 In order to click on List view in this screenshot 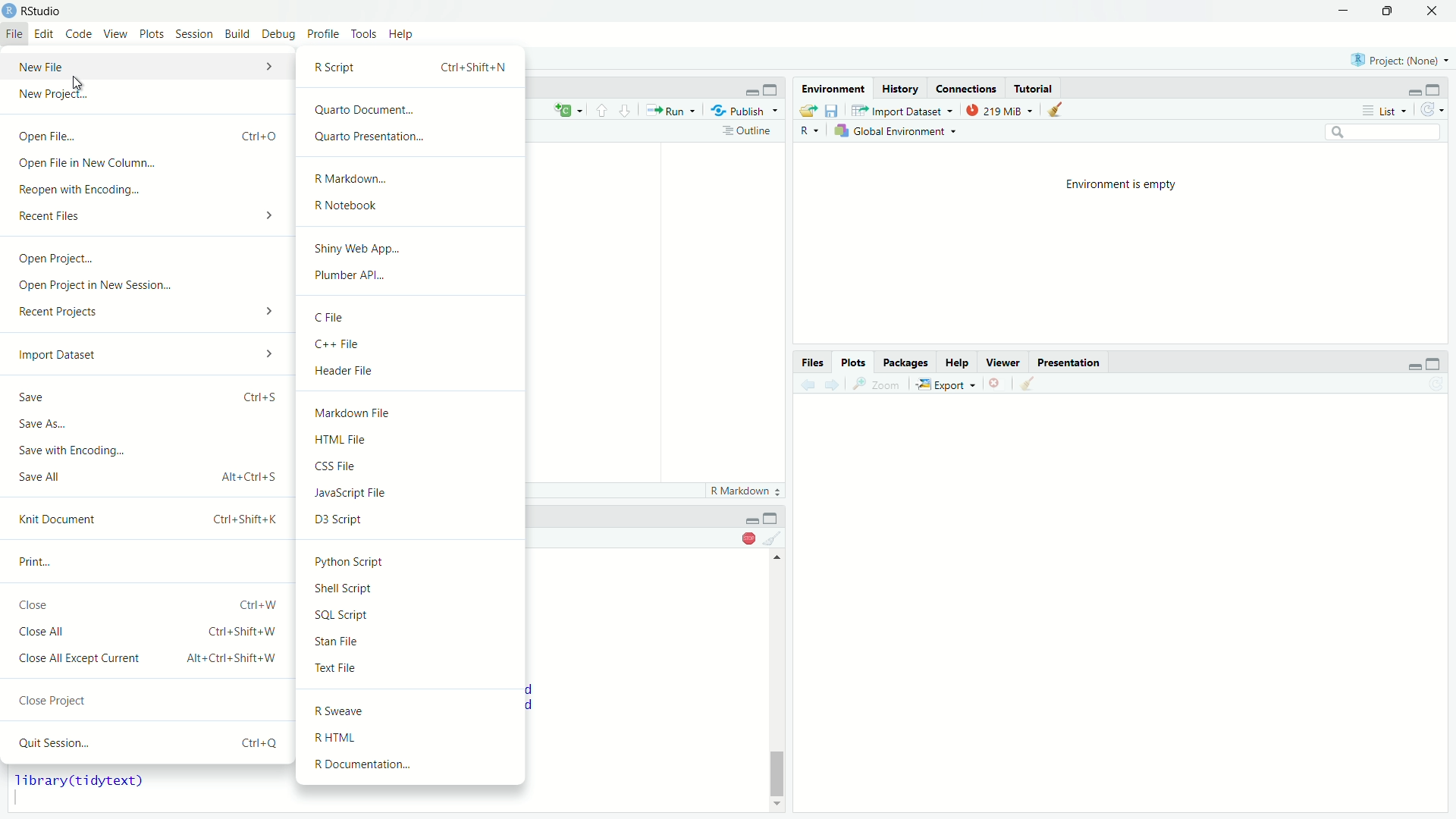, I will do `click(1384, 109)`.